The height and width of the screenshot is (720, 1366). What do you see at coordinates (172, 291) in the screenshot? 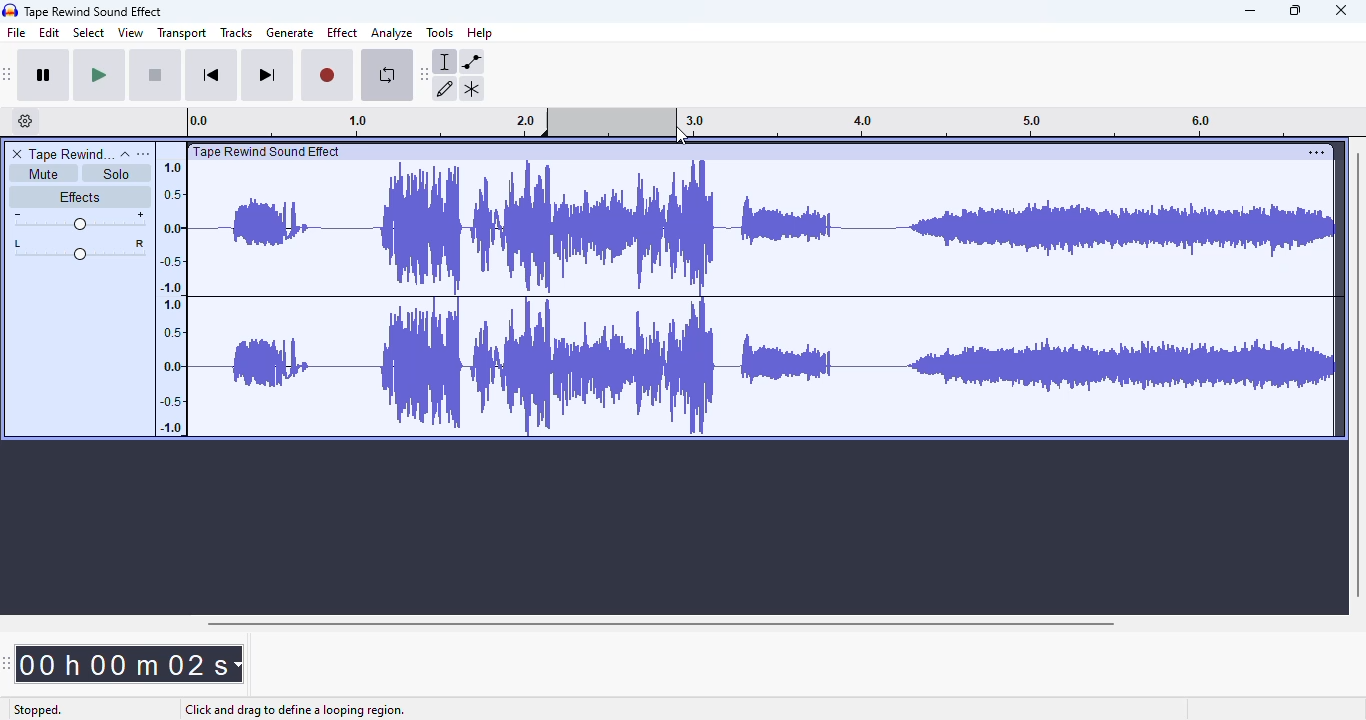
I see `1.0 0.5 0.0 -0.5 -1.0 1.0 0.5 0.0 -0.5 -1.0` at bounding box center [172, 291].